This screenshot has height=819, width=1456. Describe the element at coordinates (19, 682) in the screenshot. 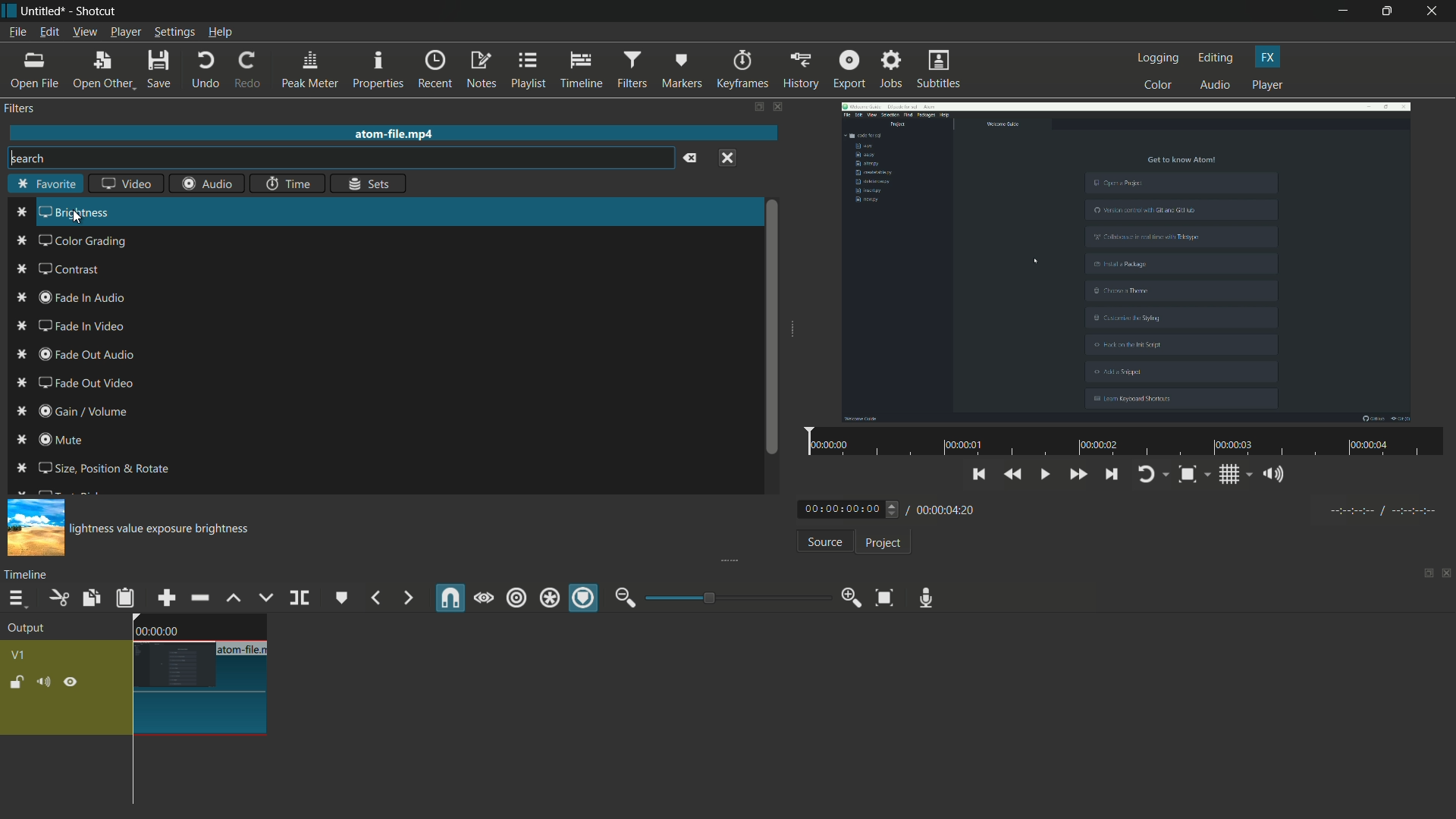

I see `lock track` at that location.